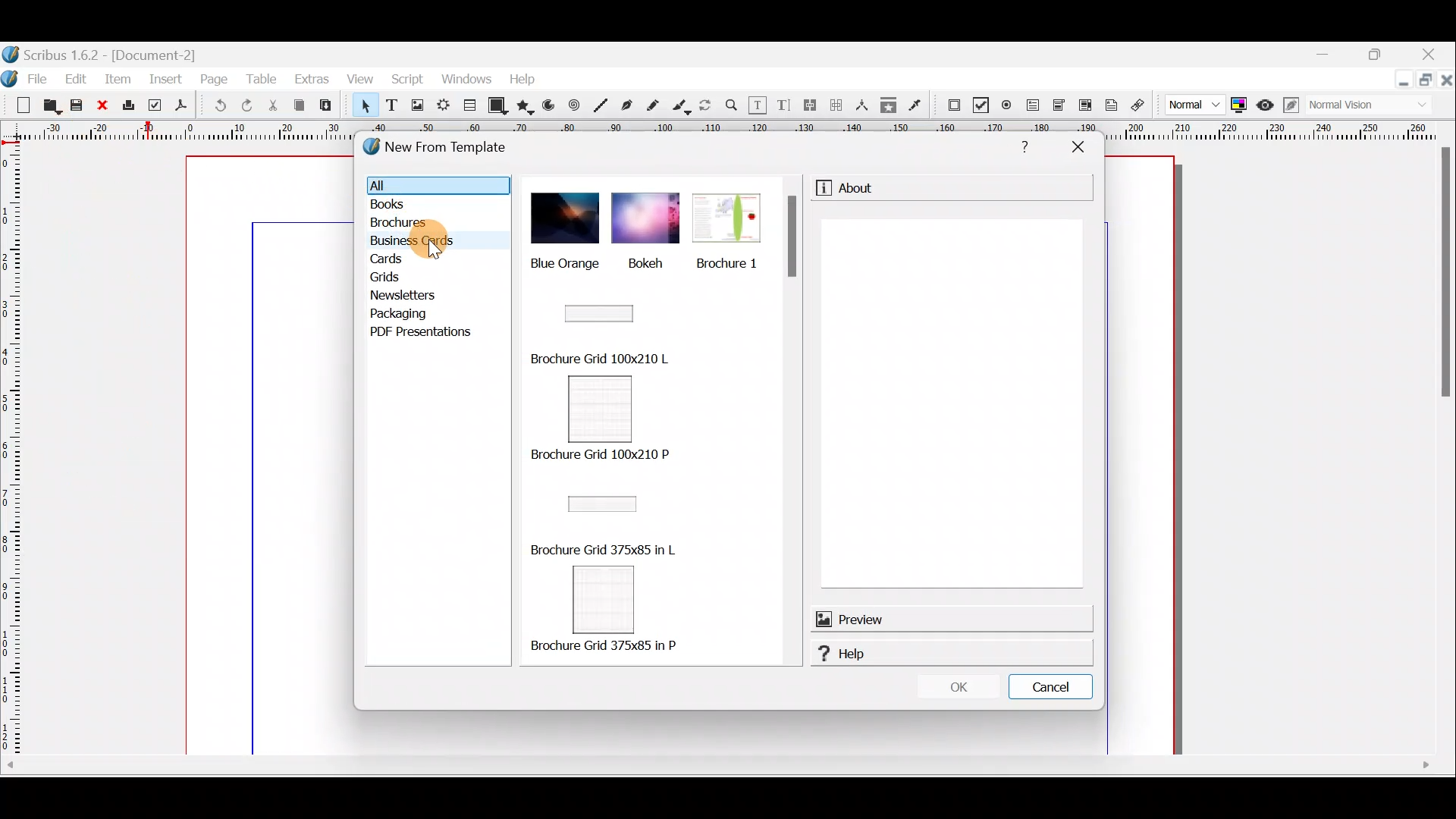 The image size is (1456, 819). Describe the element at coordinates (953, 105) in the screenshot. I see `PDF Push button` at that location.